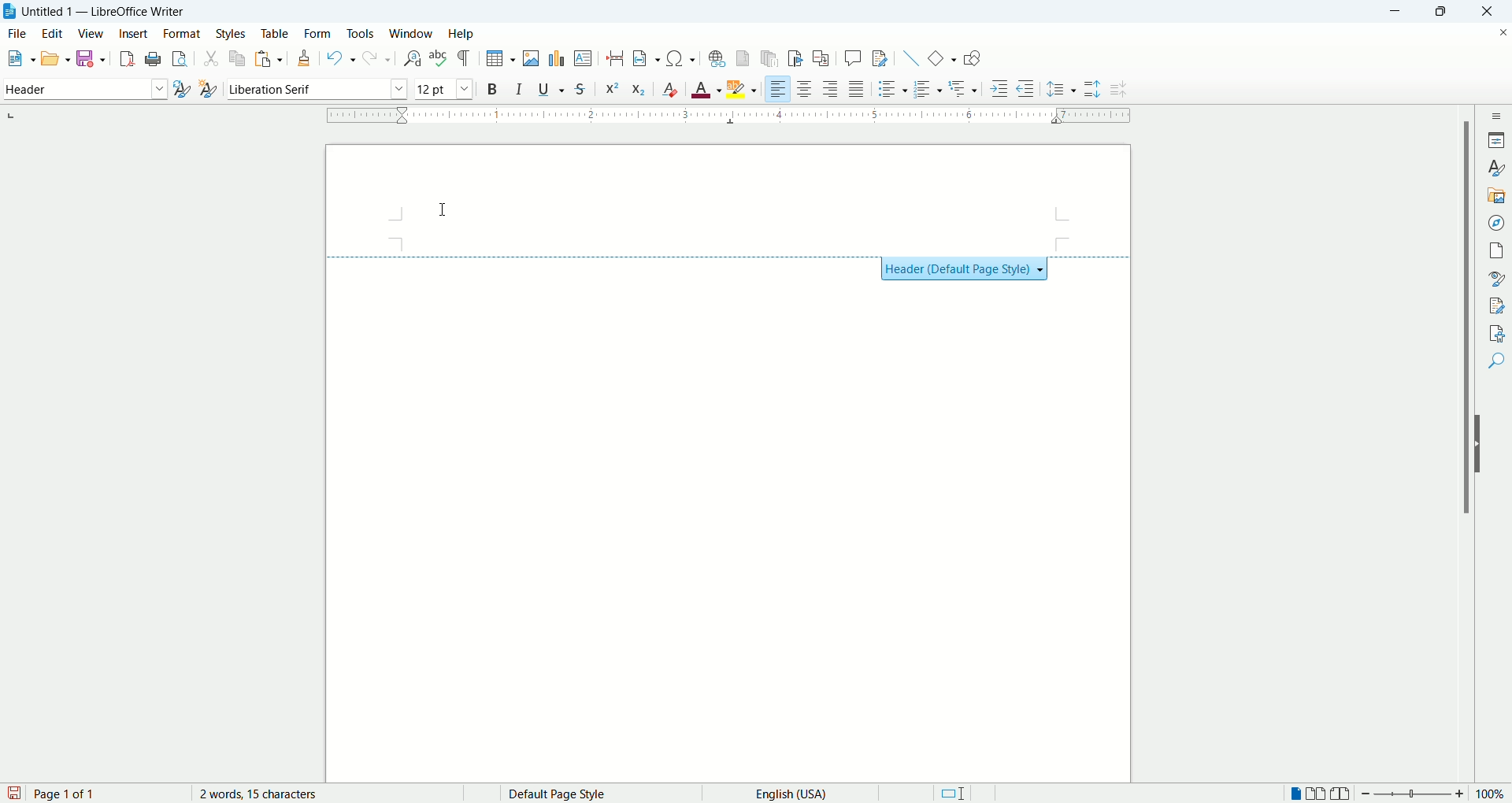 This screenshot has width=1512, height=803. Describe the element at coordinates (1498, 277) in the screenshot. I see `style inspector` at that location.